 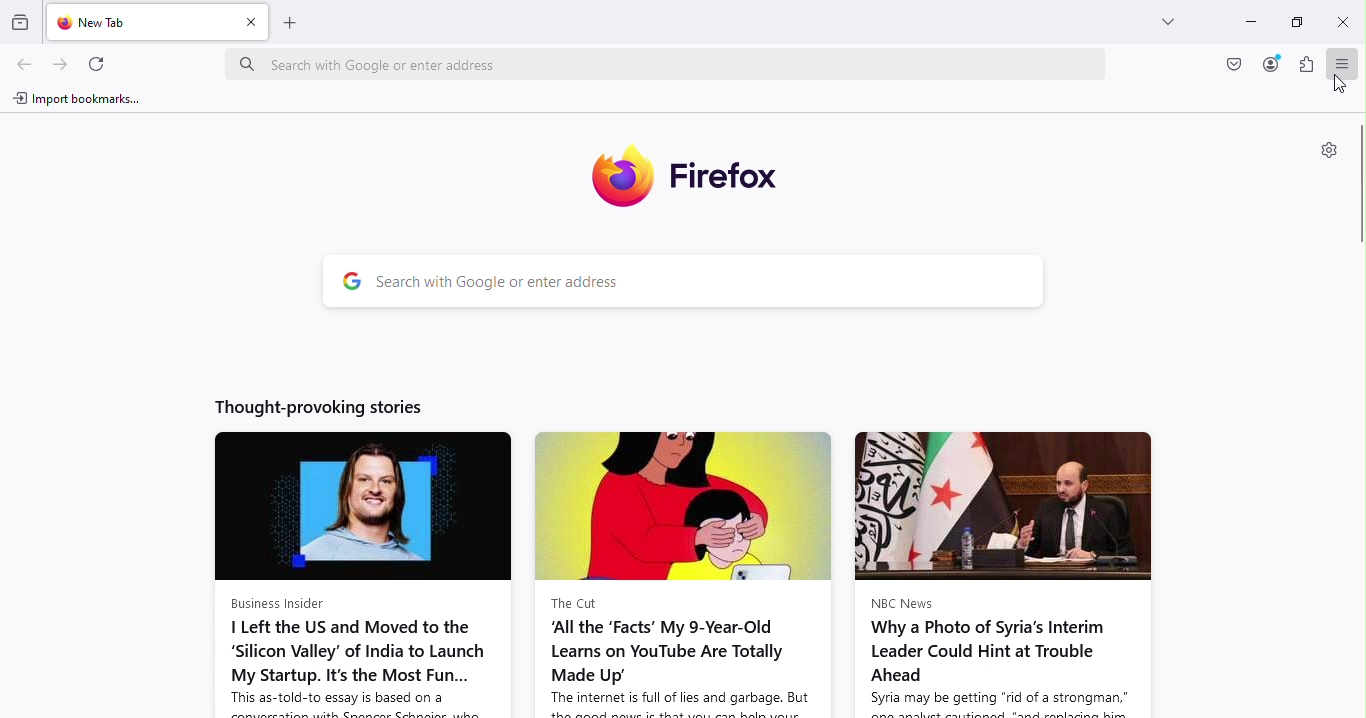 I want to click on Open application menu, so click(x=1341, y=62).